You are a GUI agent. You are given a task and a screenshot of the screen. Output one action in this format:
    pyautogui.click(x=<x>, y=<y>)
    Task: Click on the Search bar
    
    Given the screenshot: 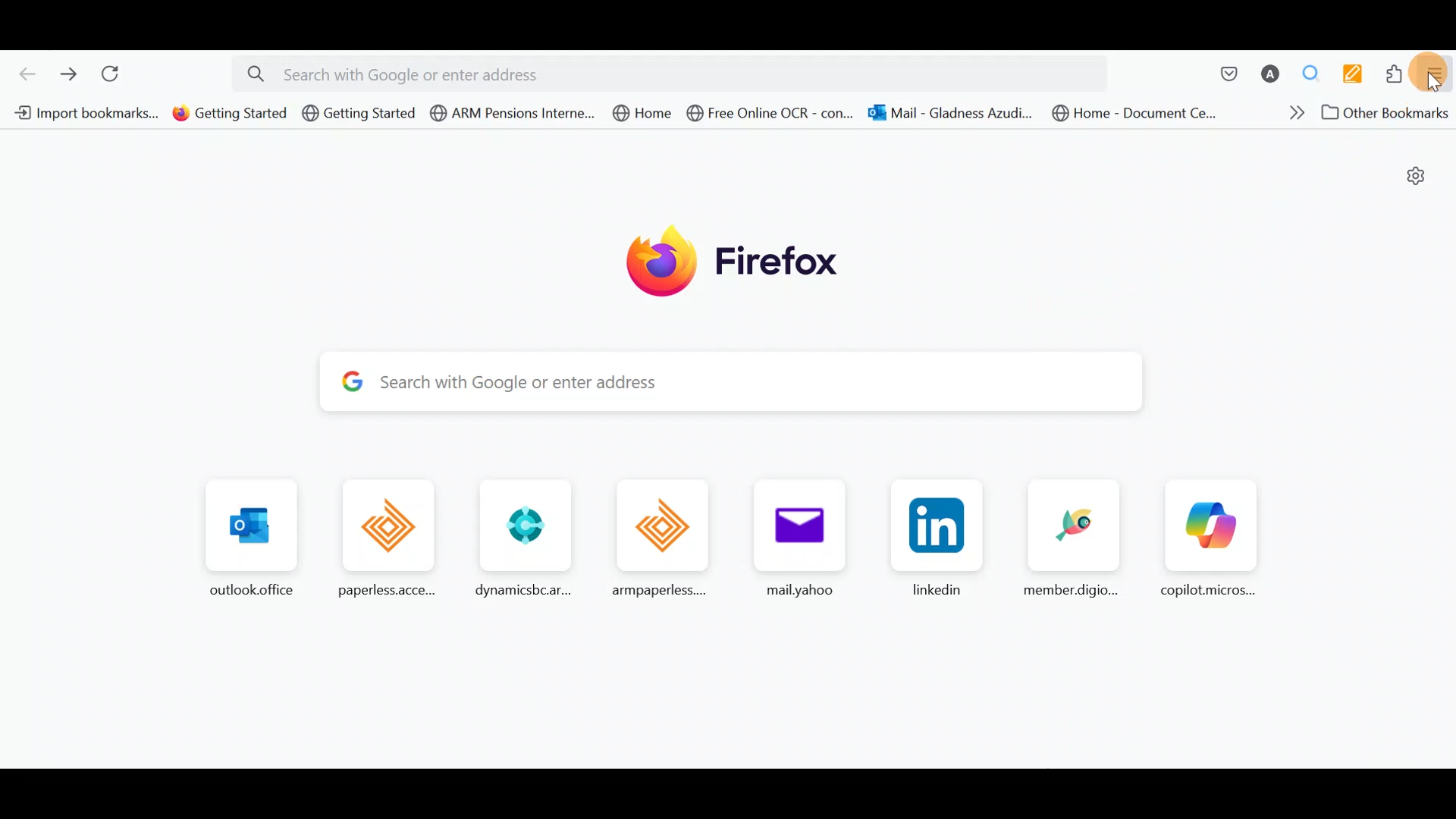 What is the action you would take?
    pyautogui.click(x=716, y=379)
    